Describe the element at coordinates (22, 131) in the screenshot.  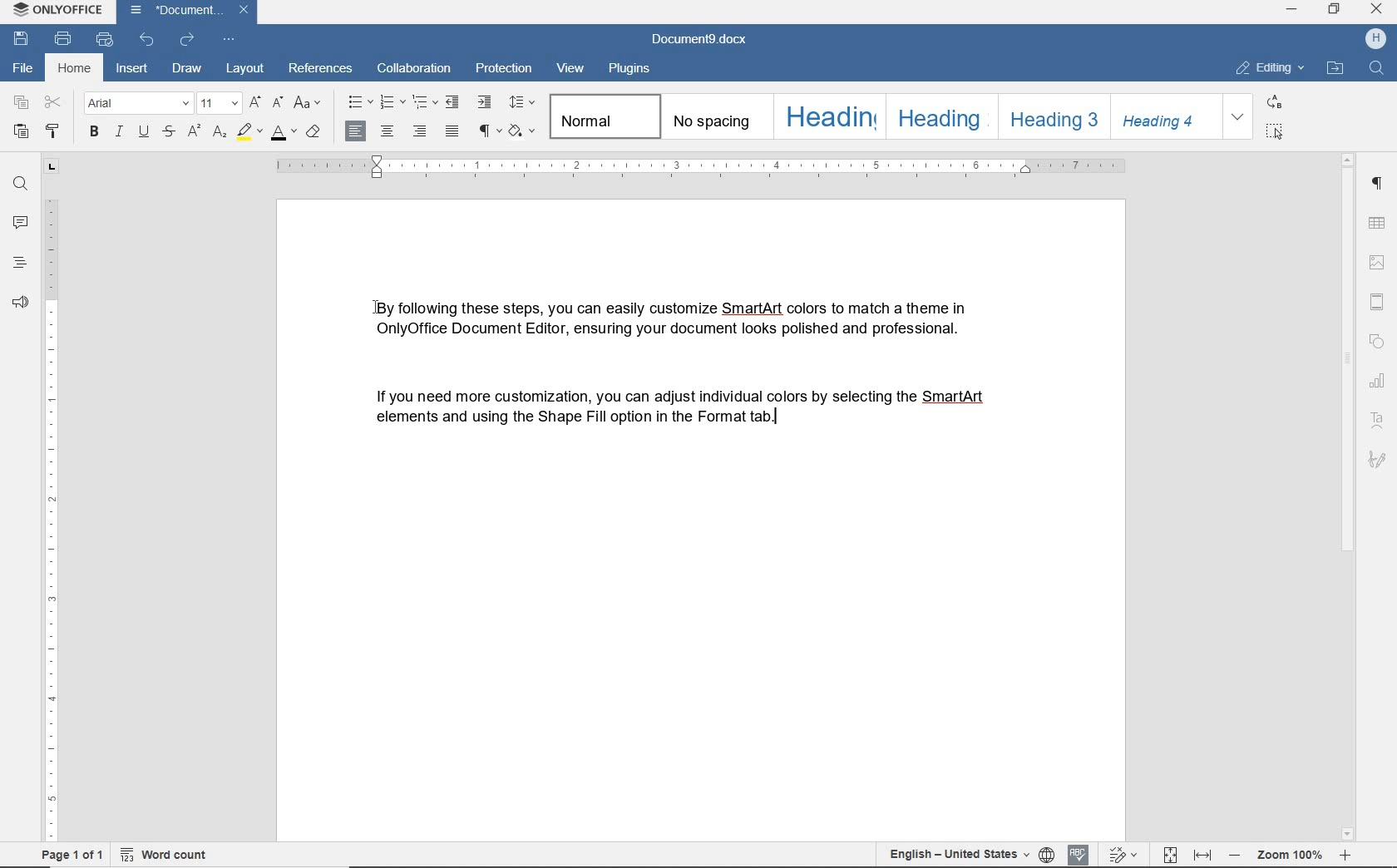
I see `paste` at that location.